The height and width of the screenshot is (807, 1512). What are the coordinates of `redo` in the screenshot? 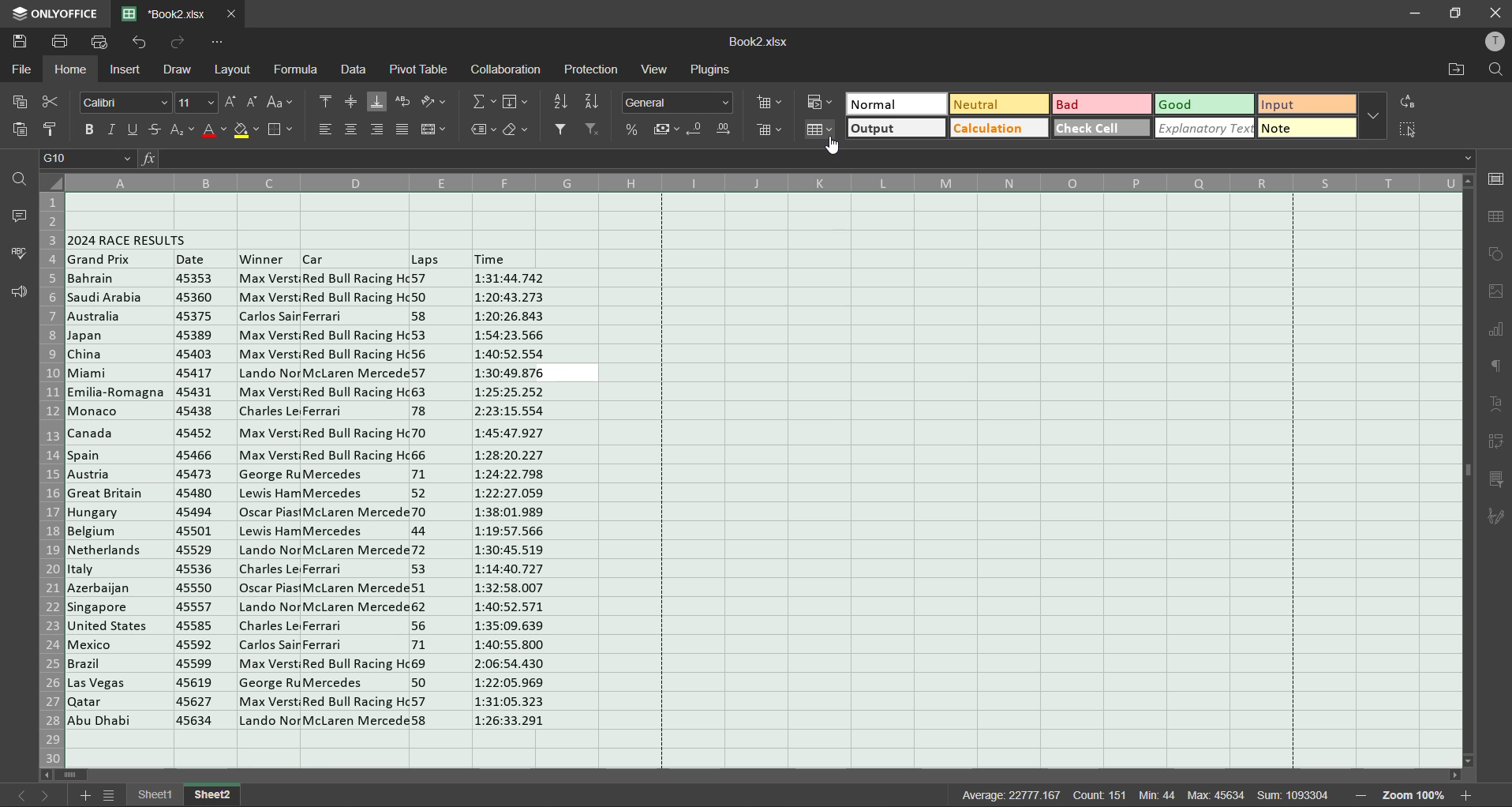 It's located at (174, 43).